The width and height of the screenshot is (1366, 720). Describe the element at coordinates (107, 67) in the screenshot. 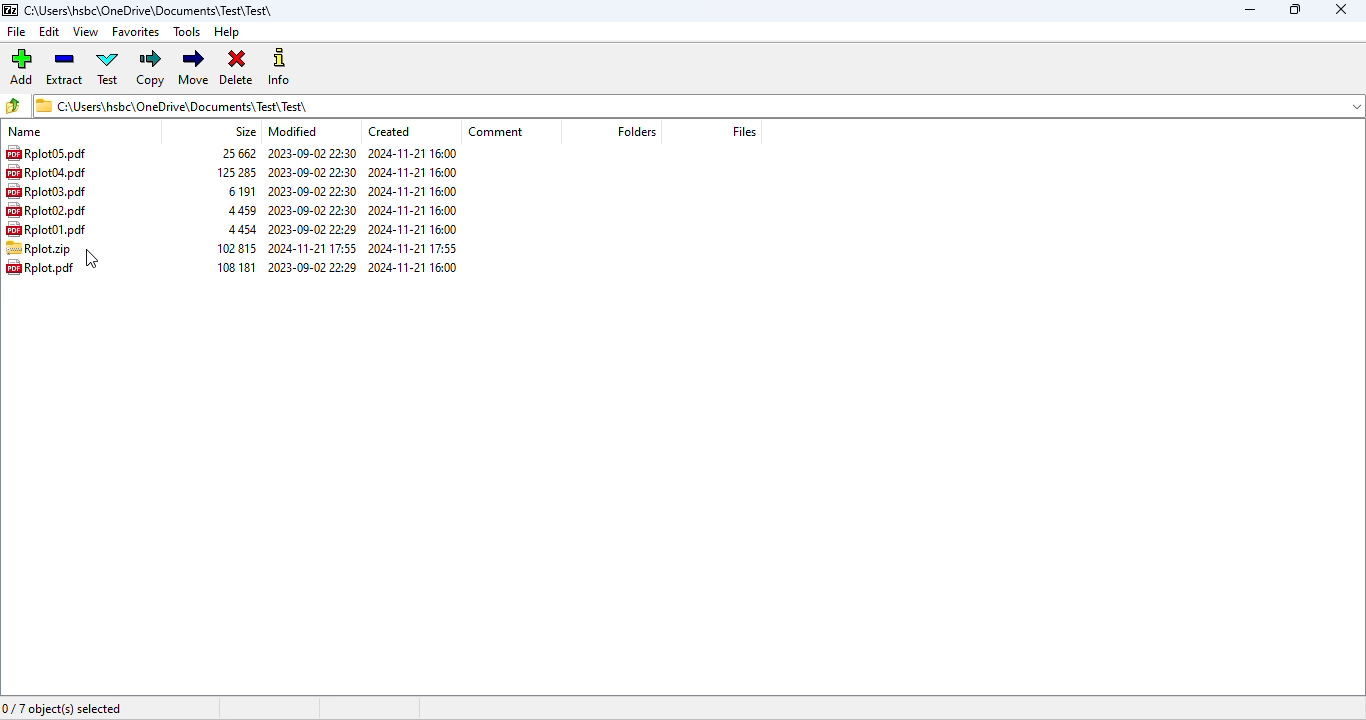

I see `test` at that location.